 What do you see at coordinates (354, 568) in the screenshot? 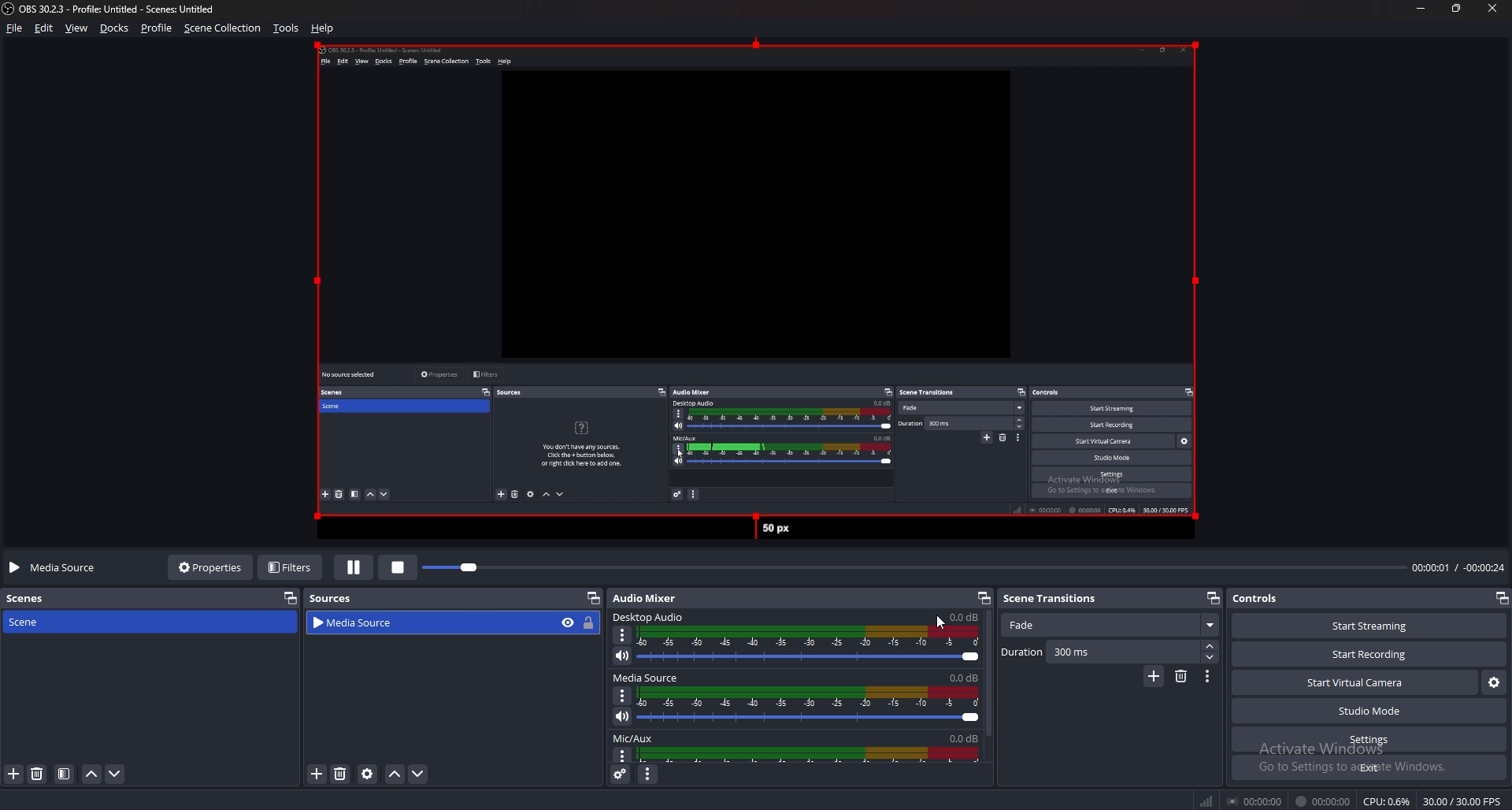
I see `Pause` at bounding box center [354, 568].